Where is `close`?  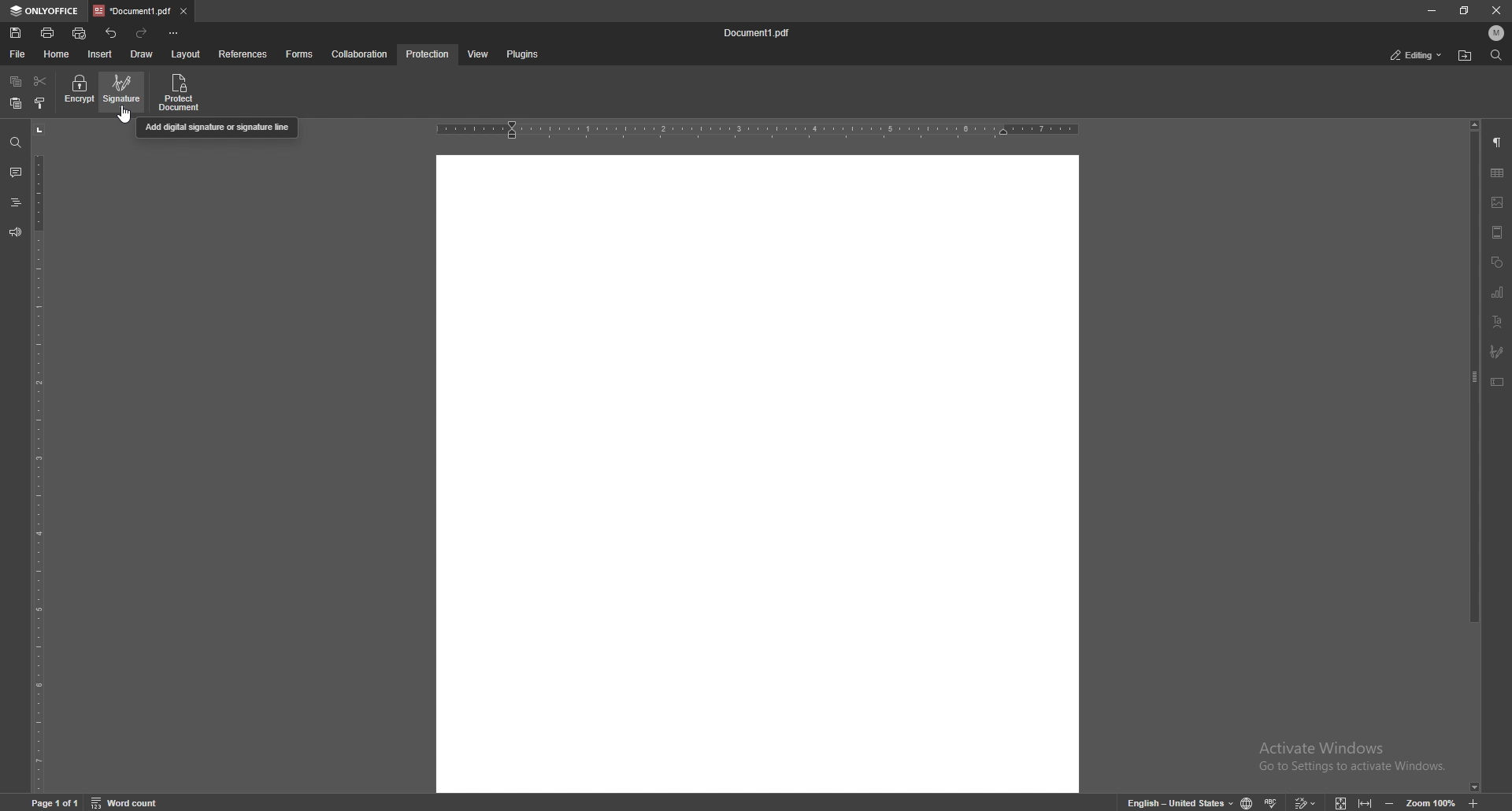 close is located at coordinates (1497, 8).